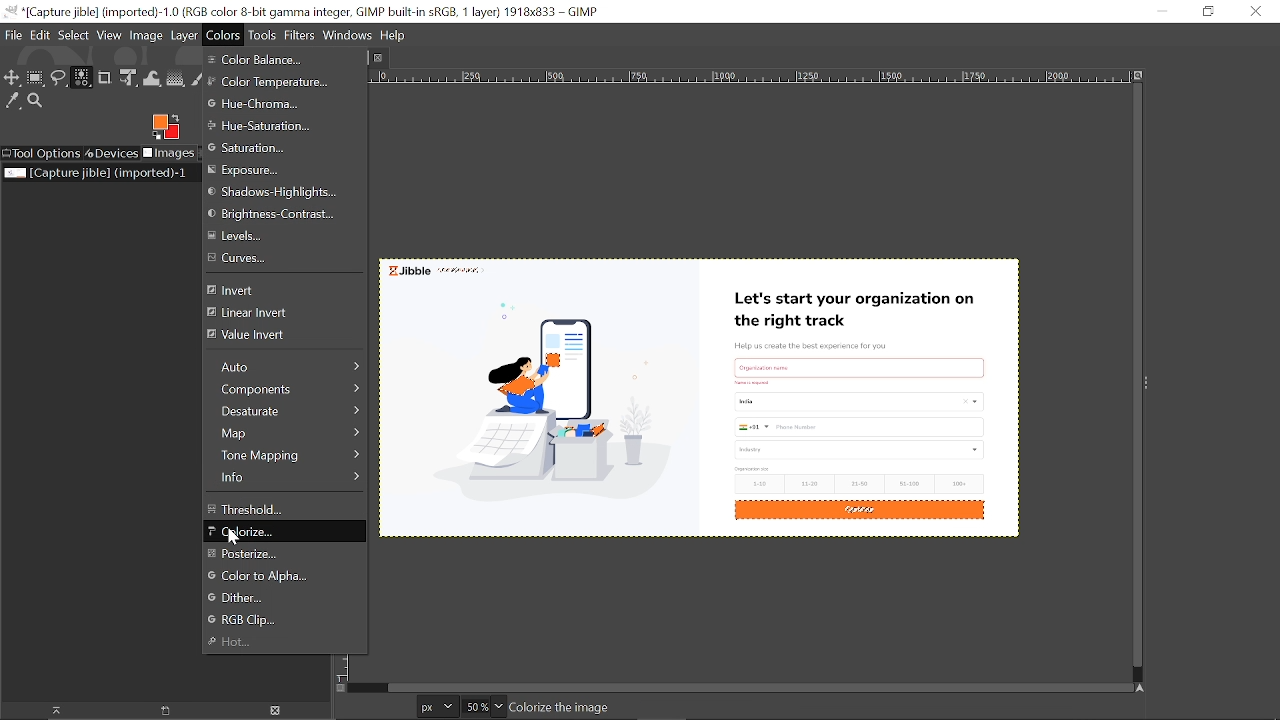 This screenshot has height=720, width=1280. What do you see at coordinates (269, 237) in the screenshot?
I see `levels` at bounding box center [269, 237].